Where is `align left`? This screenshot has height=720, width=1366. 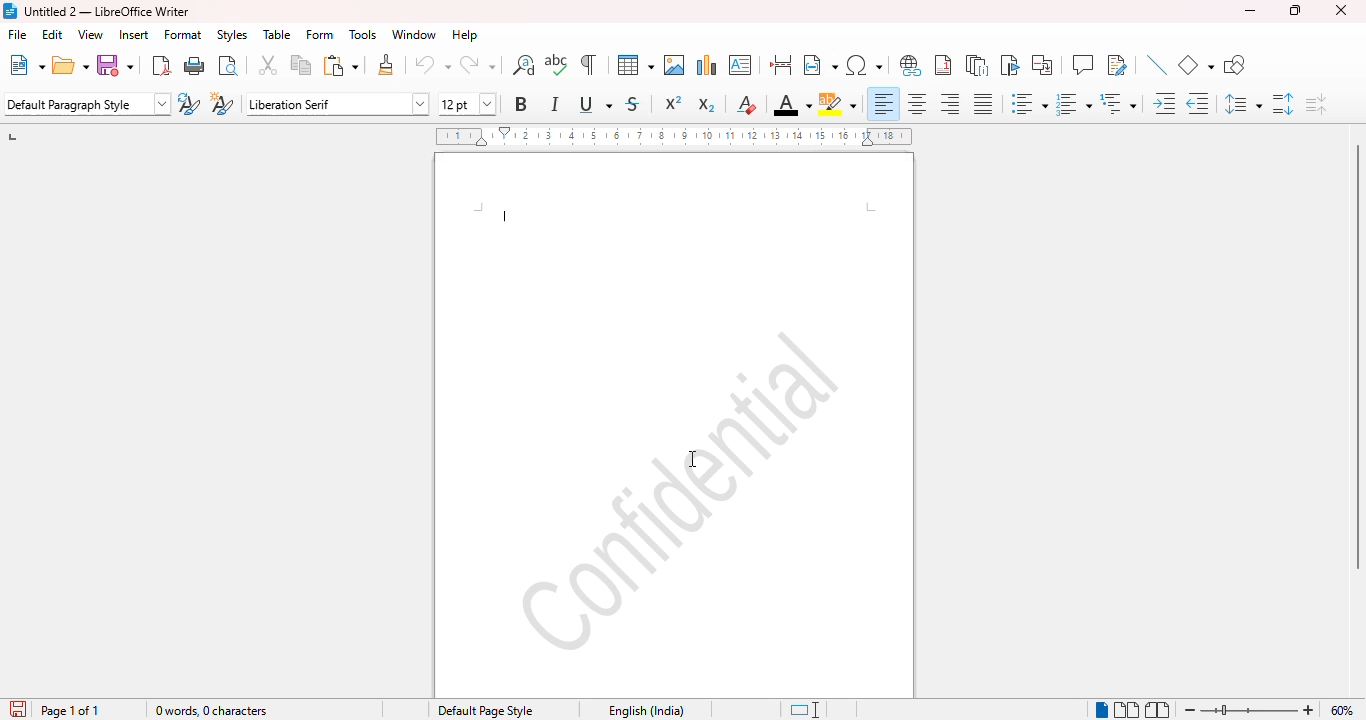 align left is located at coordinates (884, 103).